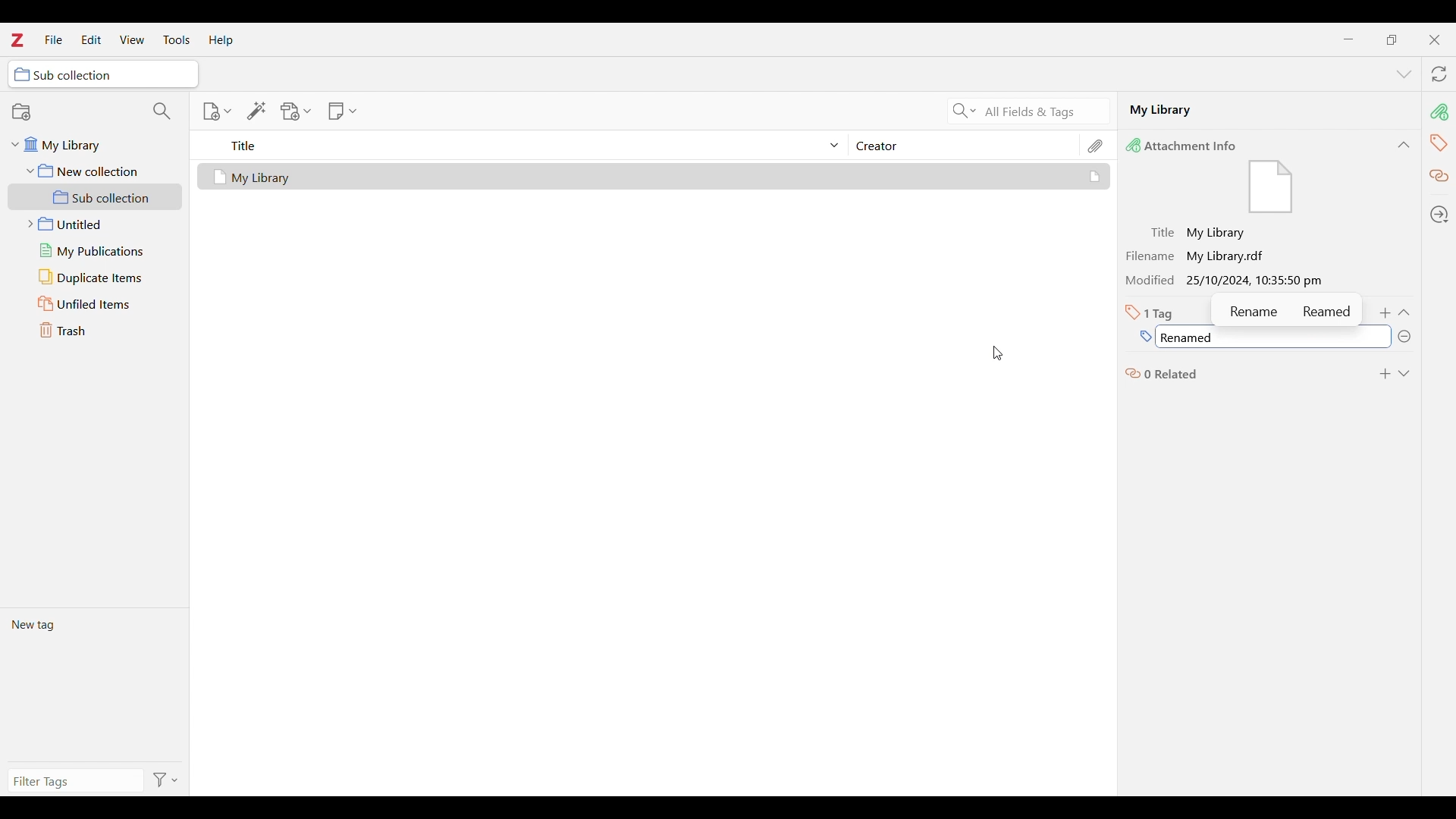  What do you see at coordinates (95, 303) in the screenshot?
I see `Unfiled items folder` at bounding box center [95, 303].